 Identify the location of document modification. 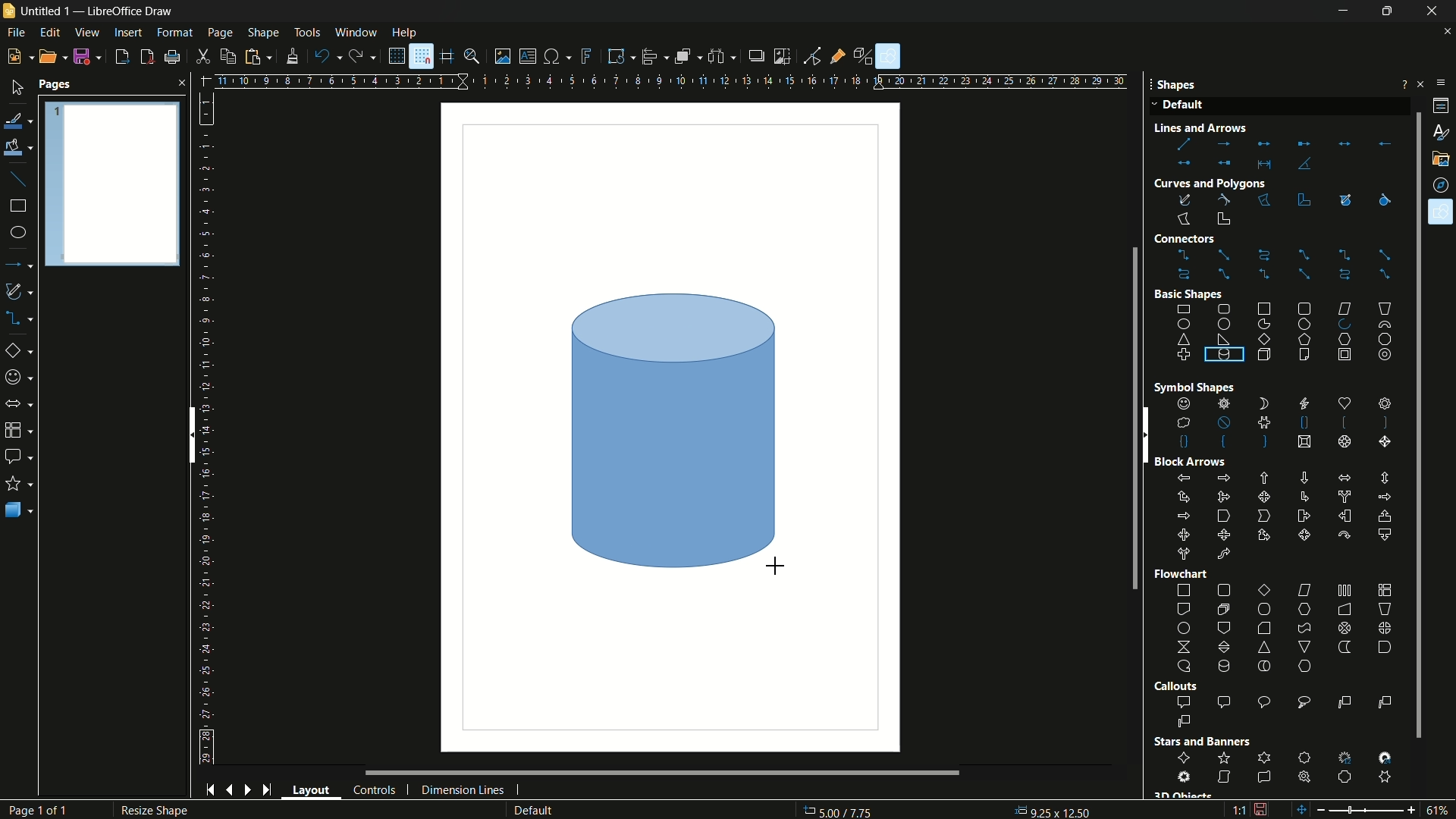
(1261, 808).